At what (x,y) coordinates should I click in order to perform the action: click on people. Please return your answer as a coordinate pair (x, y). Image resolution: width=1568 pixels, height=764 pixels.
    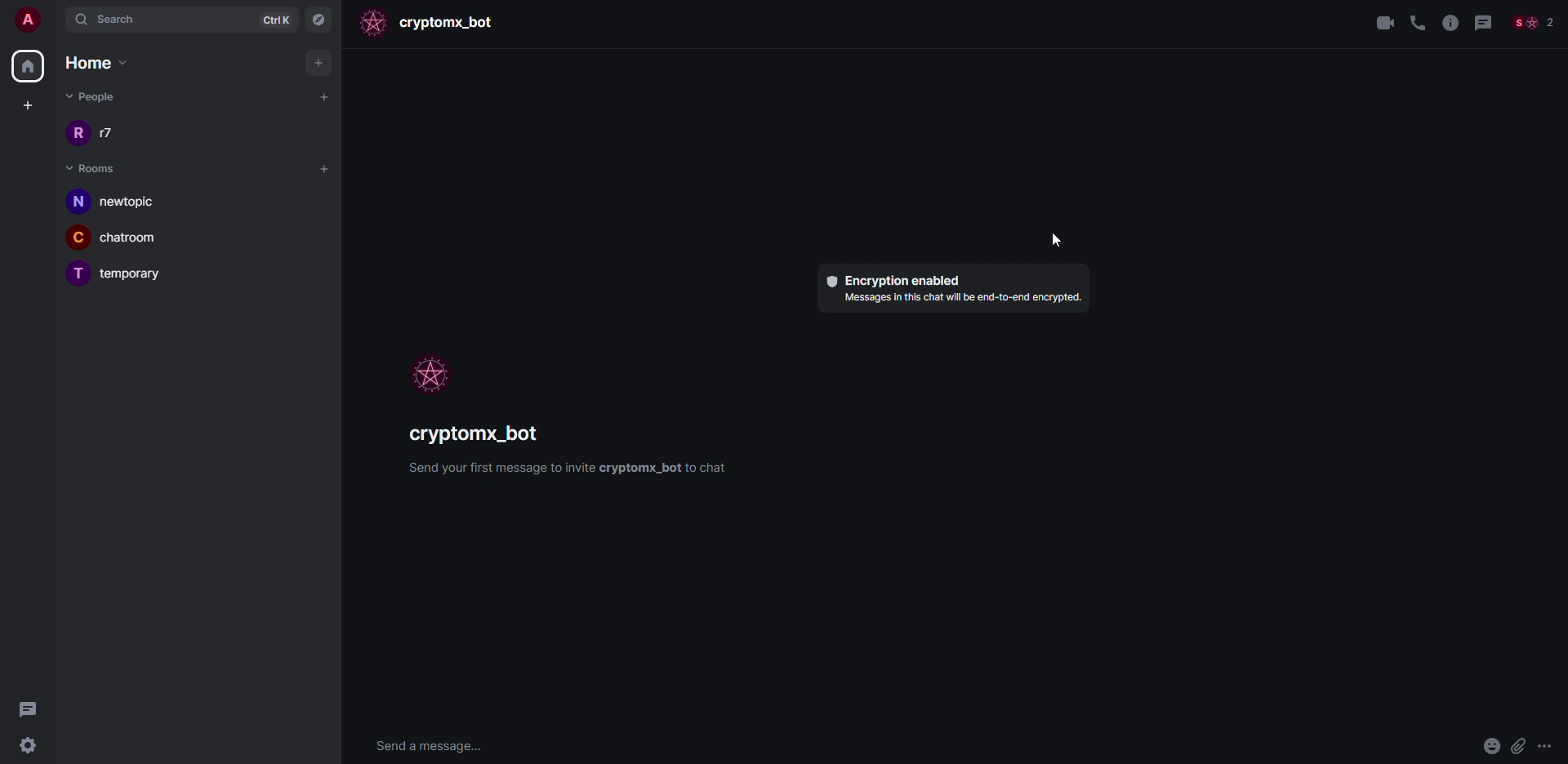
    Looking at the image, I should click on (95, 98).